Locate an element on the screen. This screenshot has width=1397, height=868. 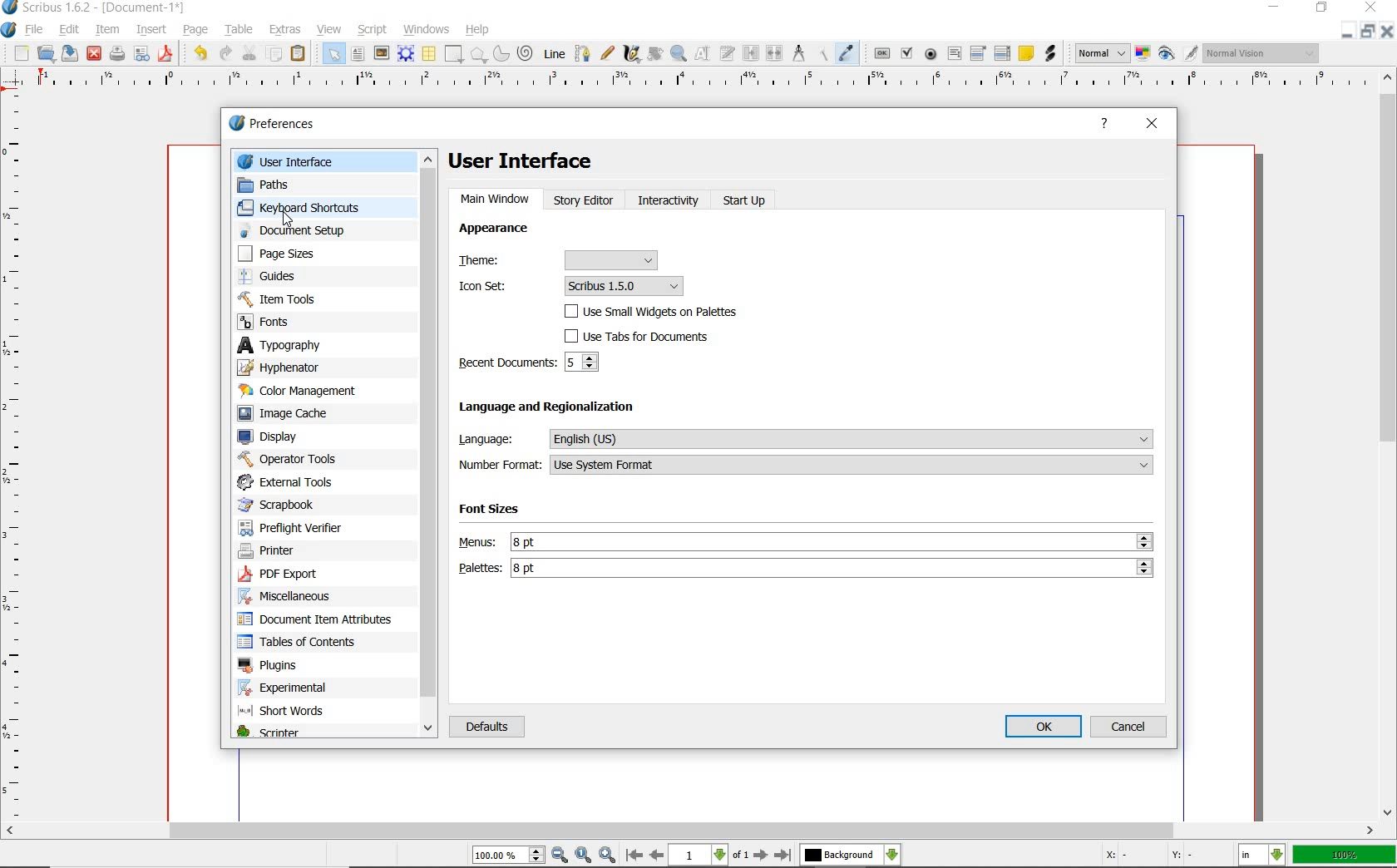
number format is located at coordinates (805, 466).